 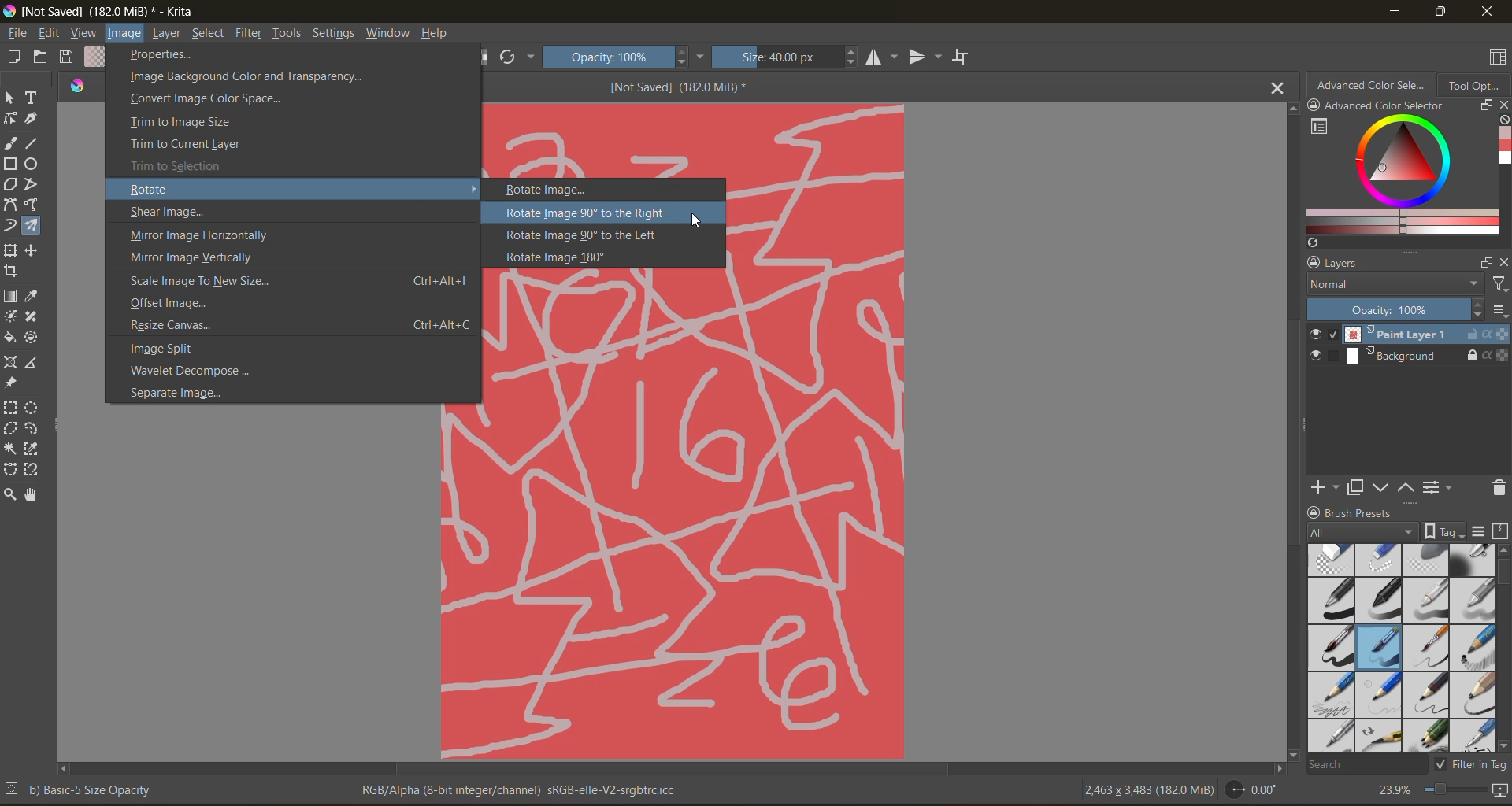 I want to click on clear all color history, so click(x=1503, y=122).